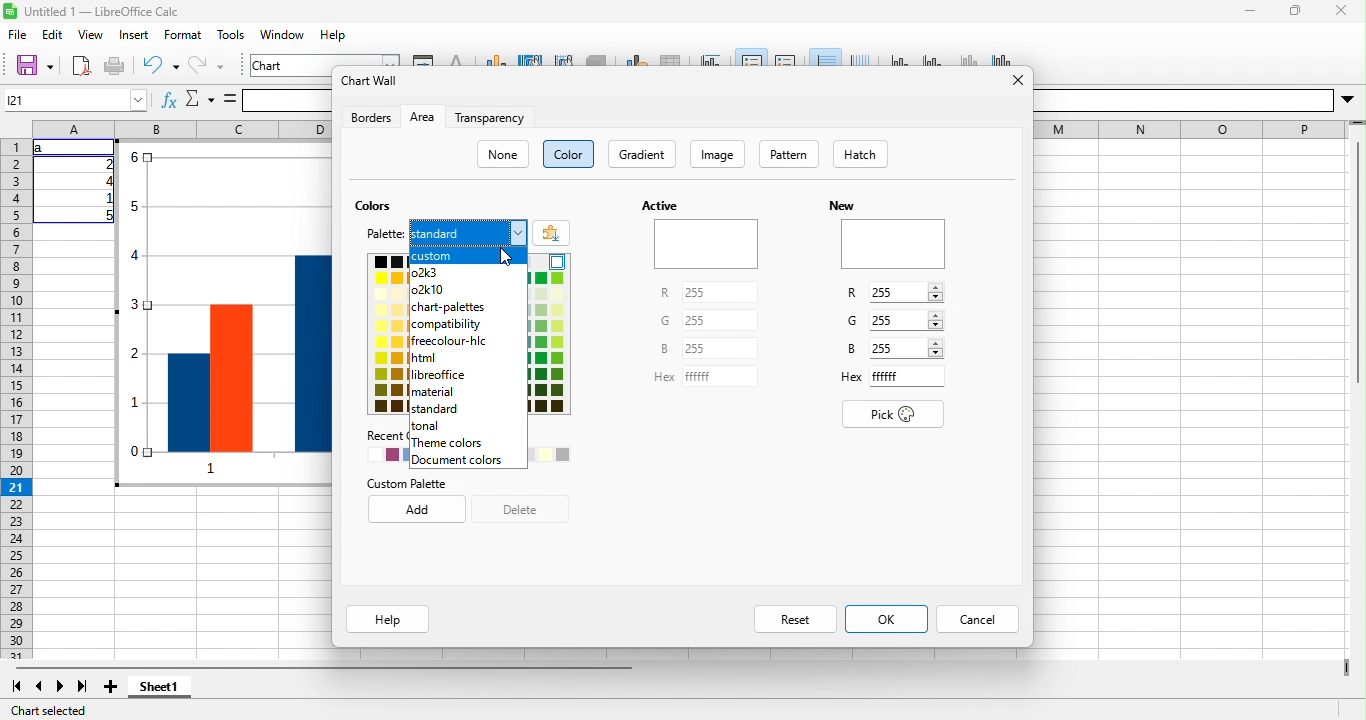  What do you see at coordinates (1347, 100) in the screenshot?
I see `More options` at bounding box center [1347, 100].